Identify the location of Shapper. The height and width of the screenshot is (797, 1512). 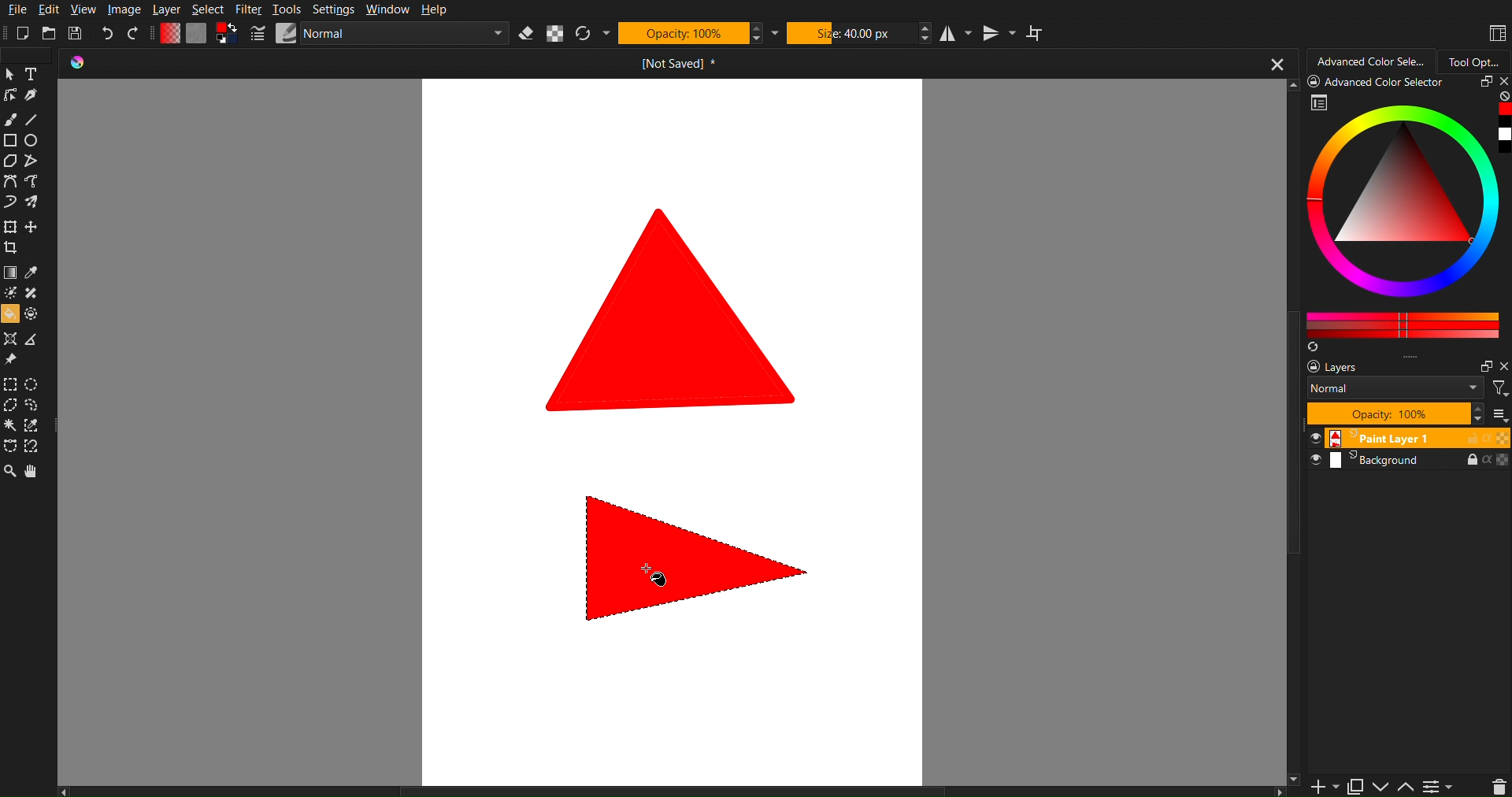
(9, 339).